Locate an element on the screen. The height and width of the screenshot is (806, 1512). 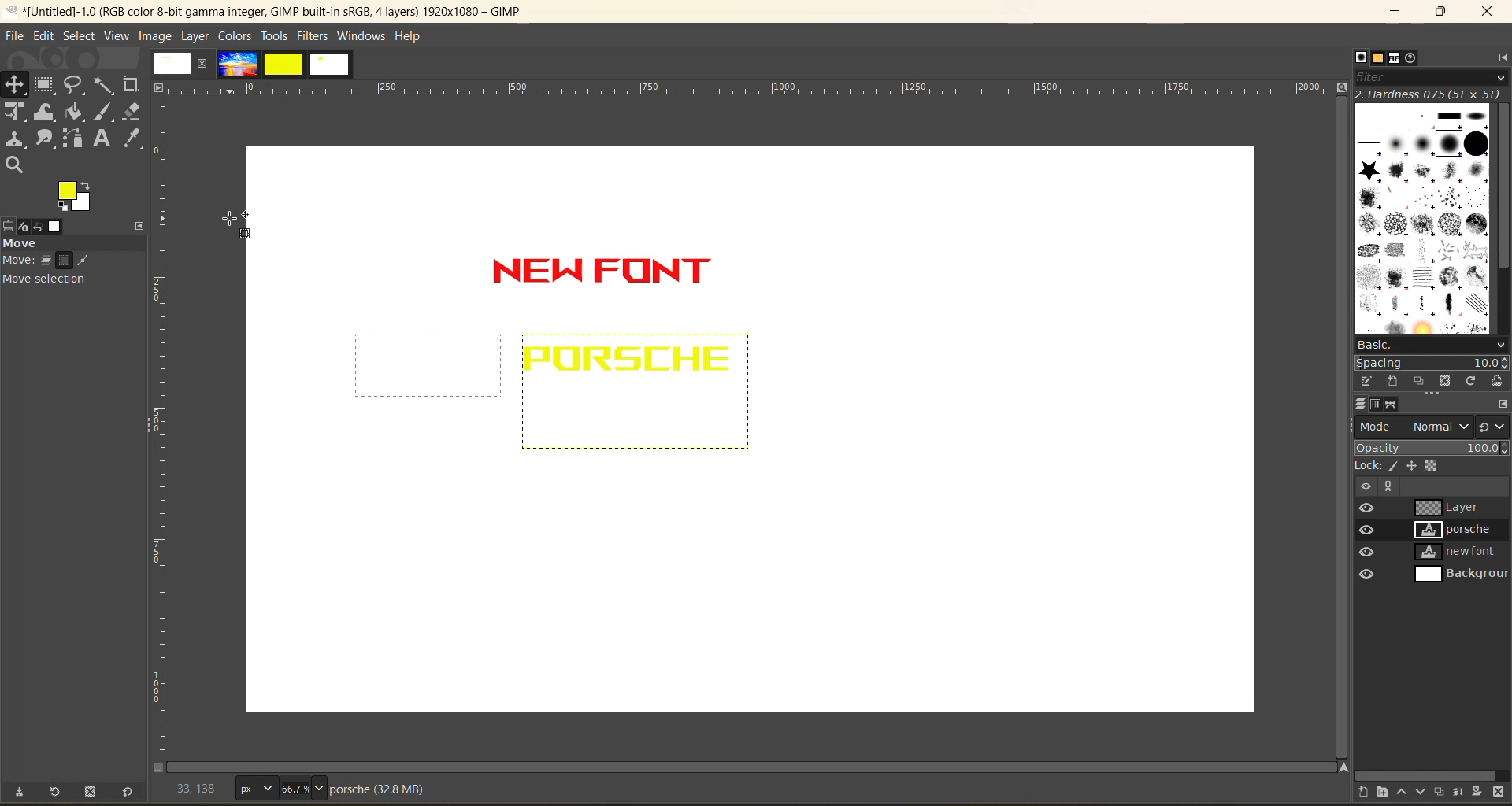
66.7% is located at coordinates (303, 789).